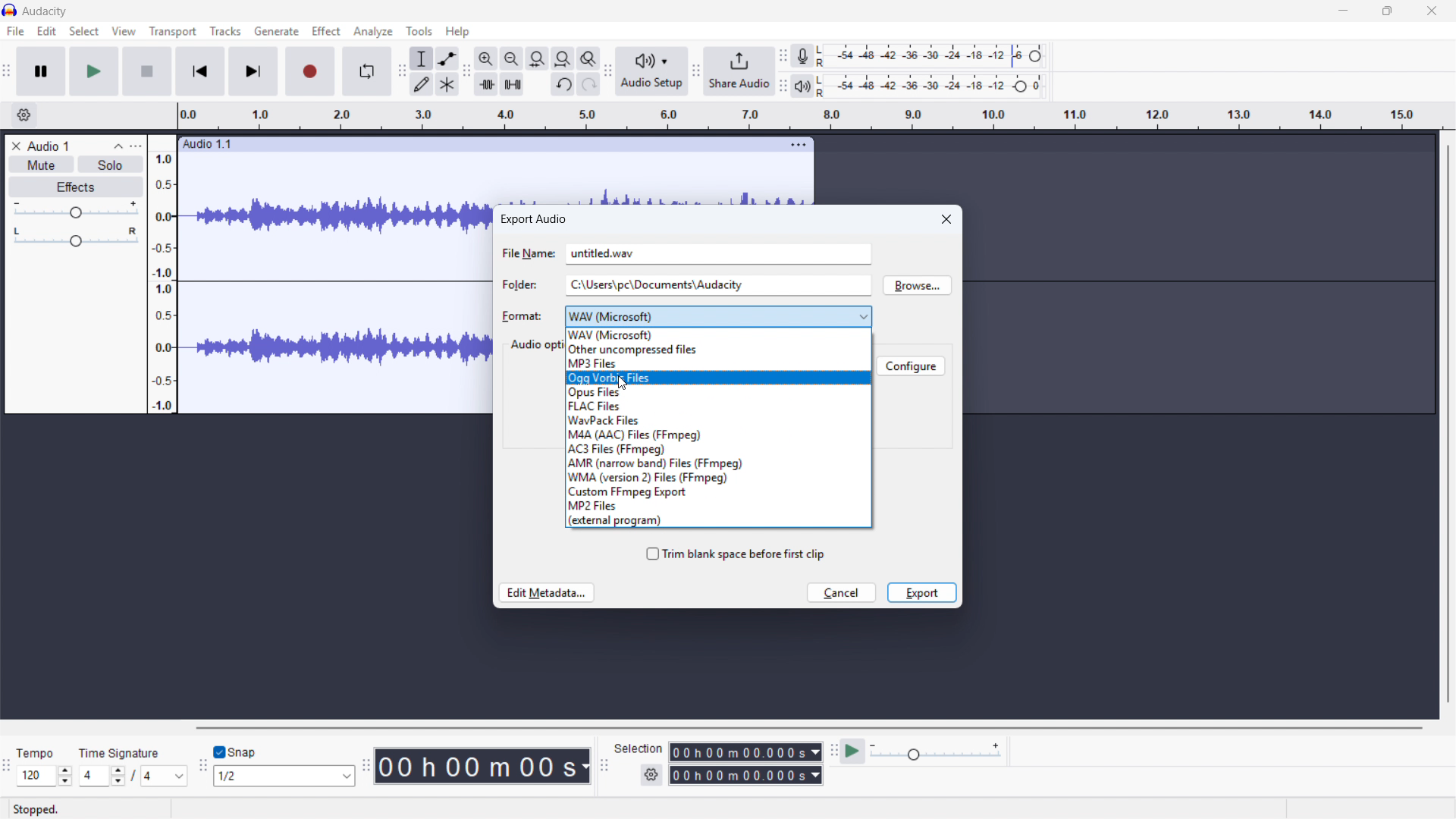 The height and width of the screenshot is (819, 1456). Describe the element at coordinates (718, 476) in the screenshot. I see `WMA version 2` at that location.